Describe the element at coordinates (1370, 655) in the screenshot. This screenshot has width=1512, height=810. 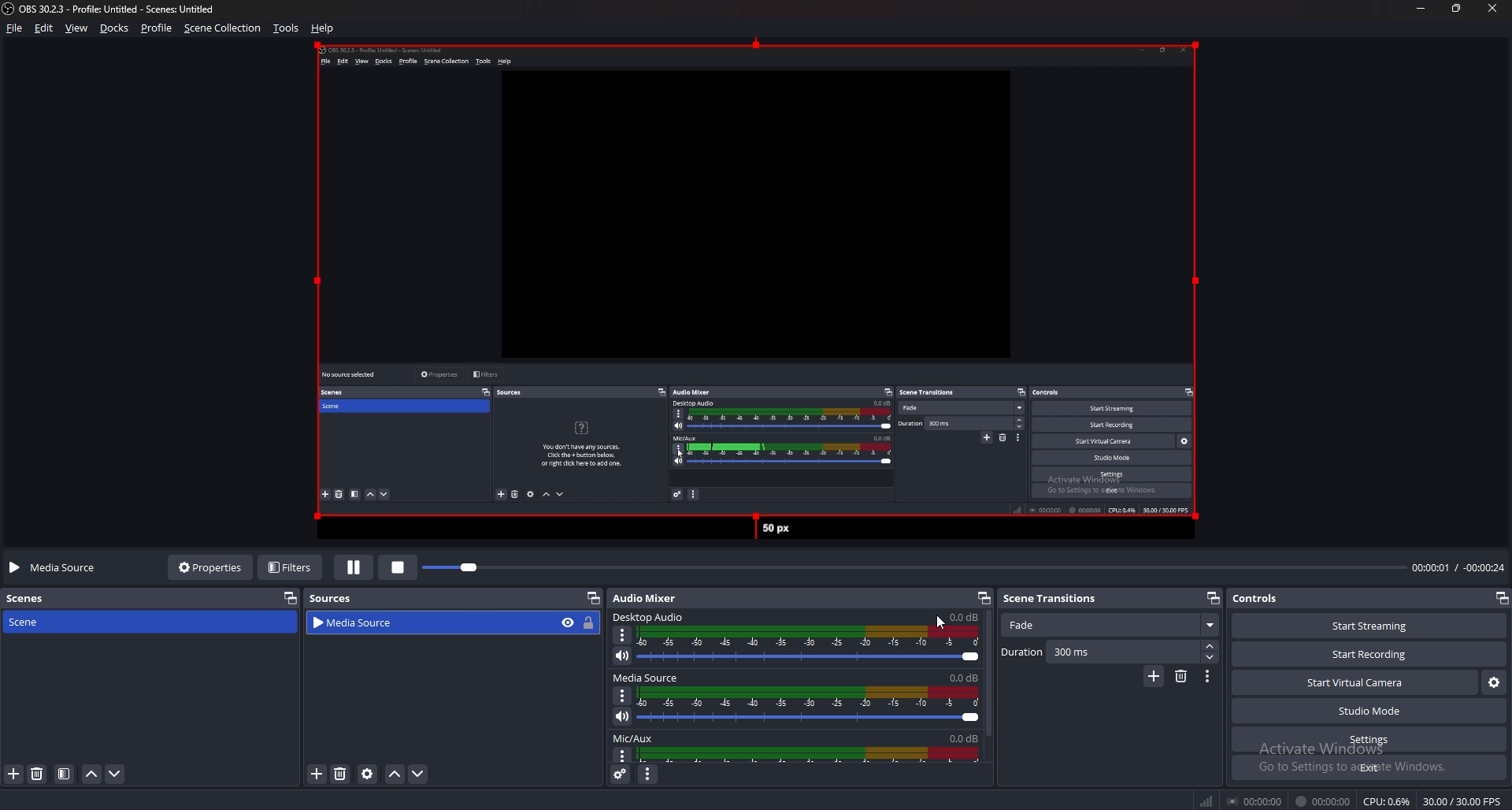
I see `Start recording` at that location.